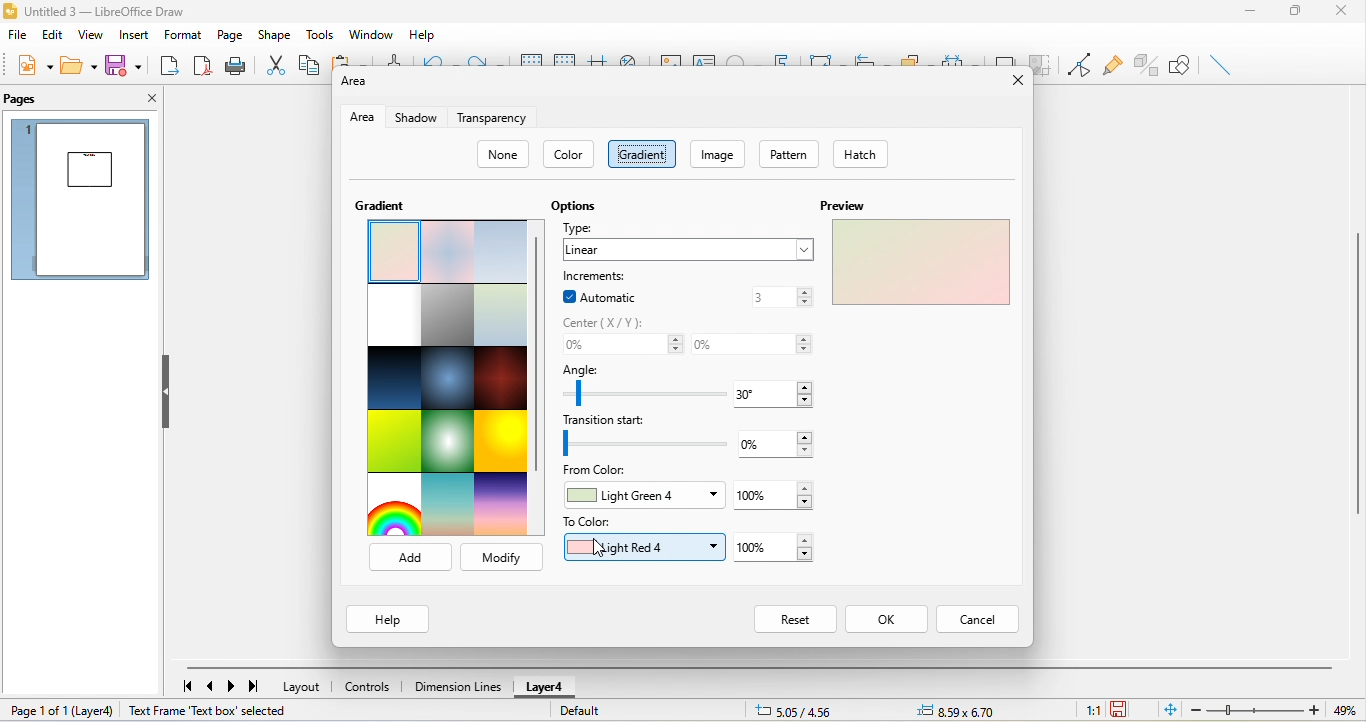 Image resolution: width=1366 pixels, height=722 pixels. I want to click on cancel, so click(977, 620).